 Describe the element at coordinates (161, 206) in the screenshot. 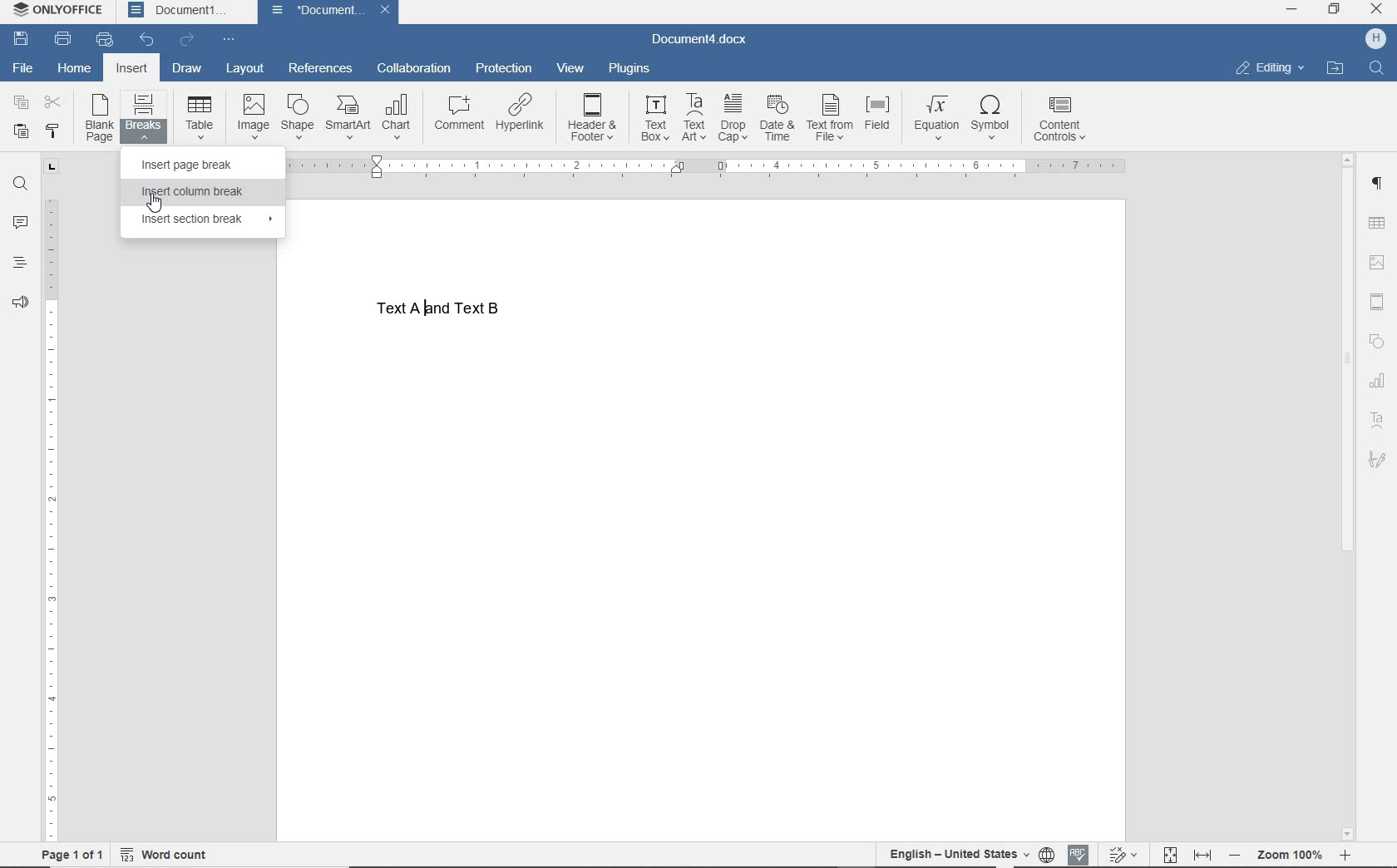

I see `cursor` at that location.